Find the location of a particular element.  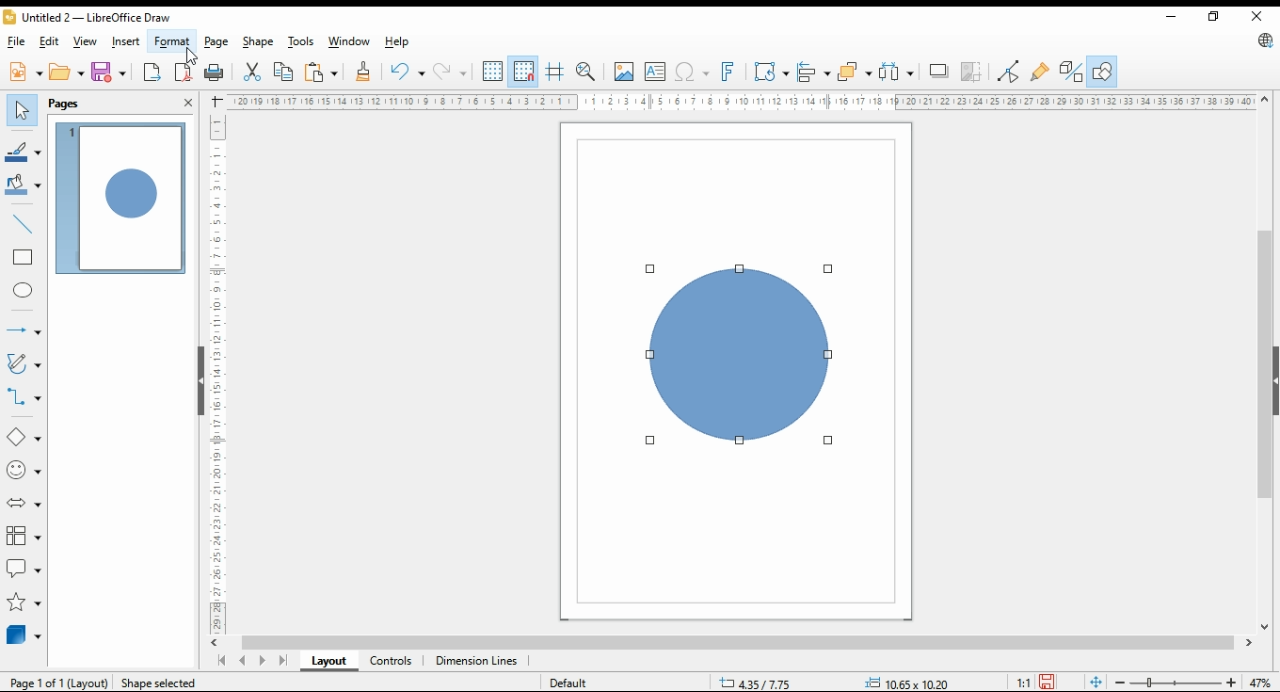

close pane is located at coordinates (188, 102).